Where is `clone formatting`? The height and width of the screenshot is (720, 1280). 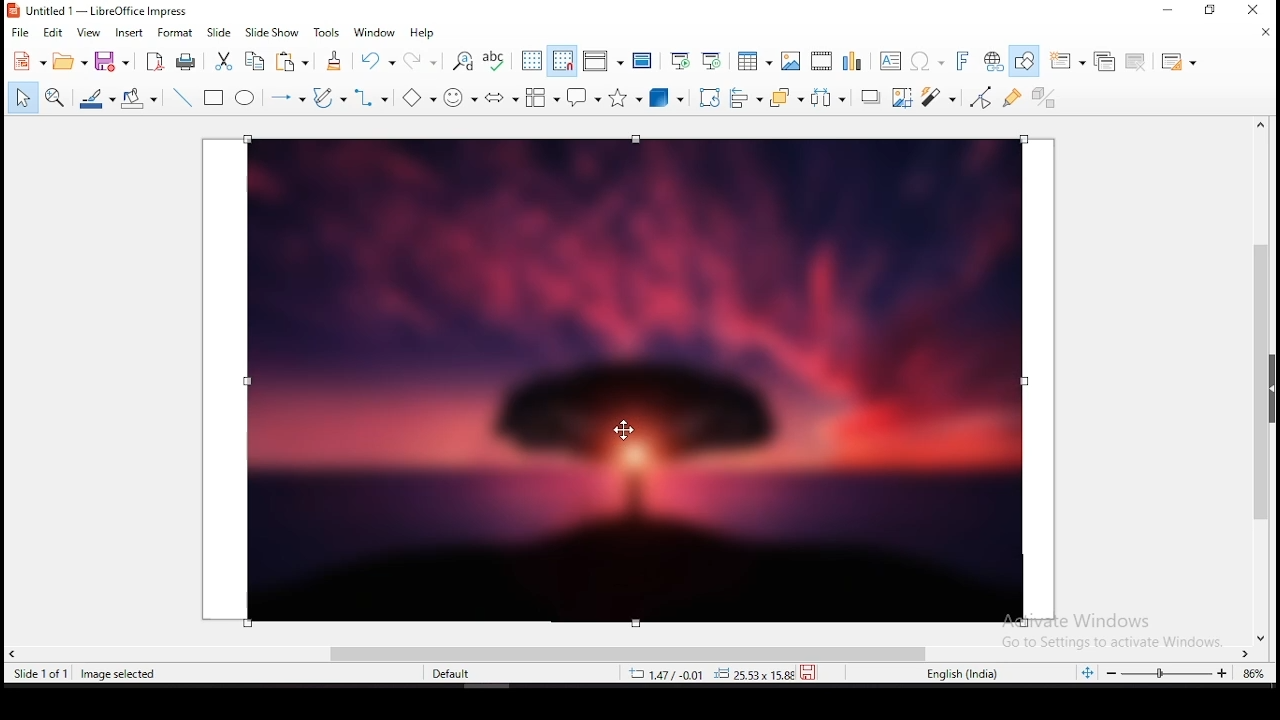
clone formatting is located at coordinates (334, 60).